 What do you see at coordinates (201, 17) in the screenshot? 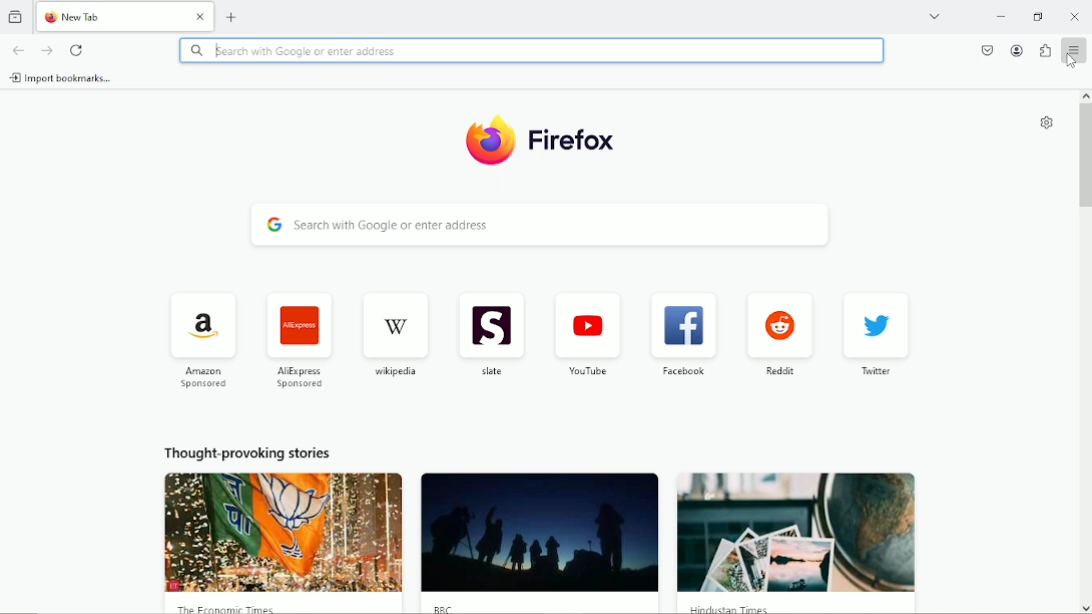
I see `Close` at bounding box center [201, 17].